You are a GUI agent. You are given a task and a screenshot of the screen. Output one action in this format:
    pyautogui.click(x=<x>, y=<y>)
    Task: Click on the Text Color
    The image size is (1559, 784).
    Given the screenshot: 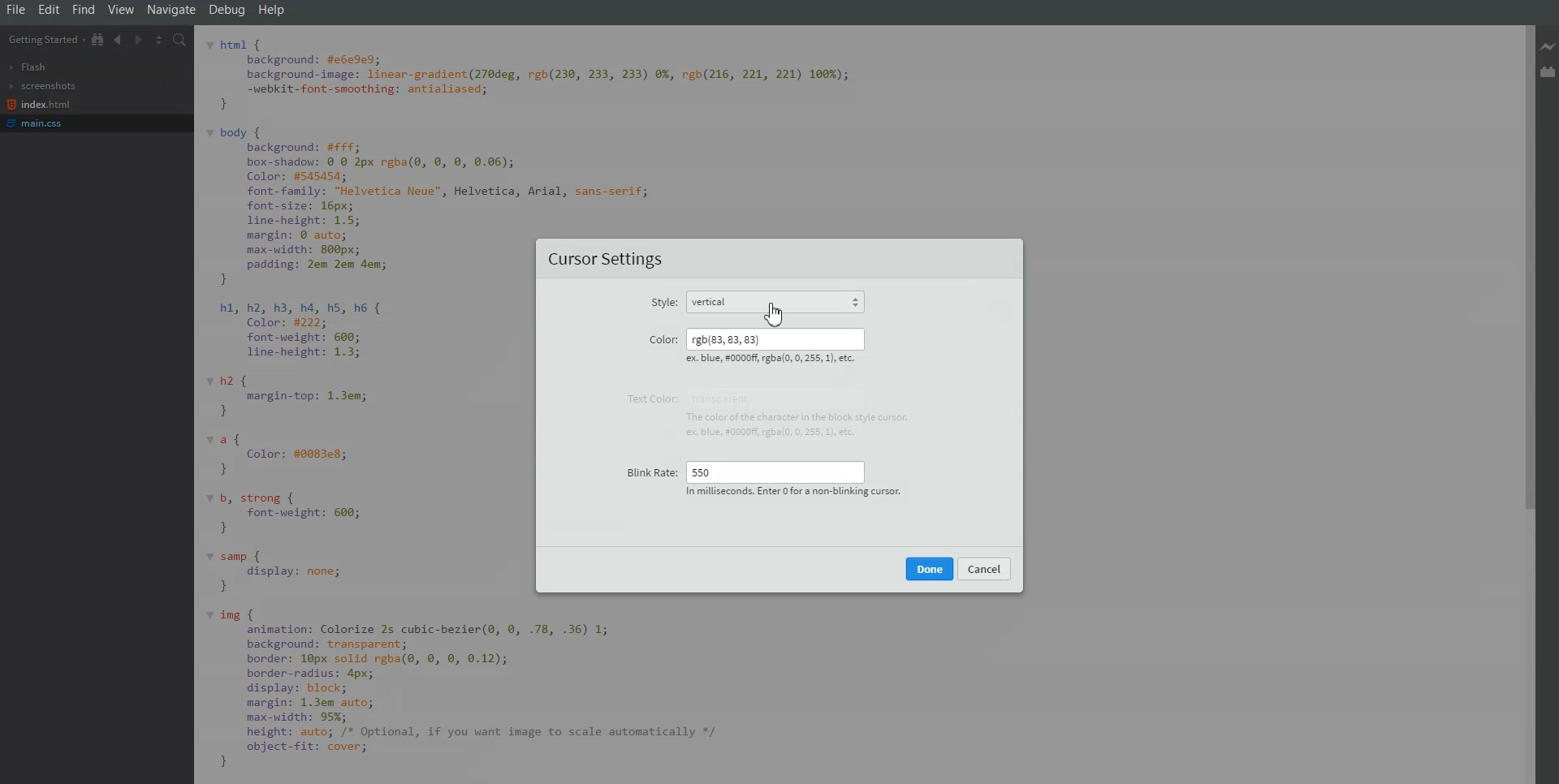 What is the action you would take?
    pyautogui.click(x=648, y=398)
    